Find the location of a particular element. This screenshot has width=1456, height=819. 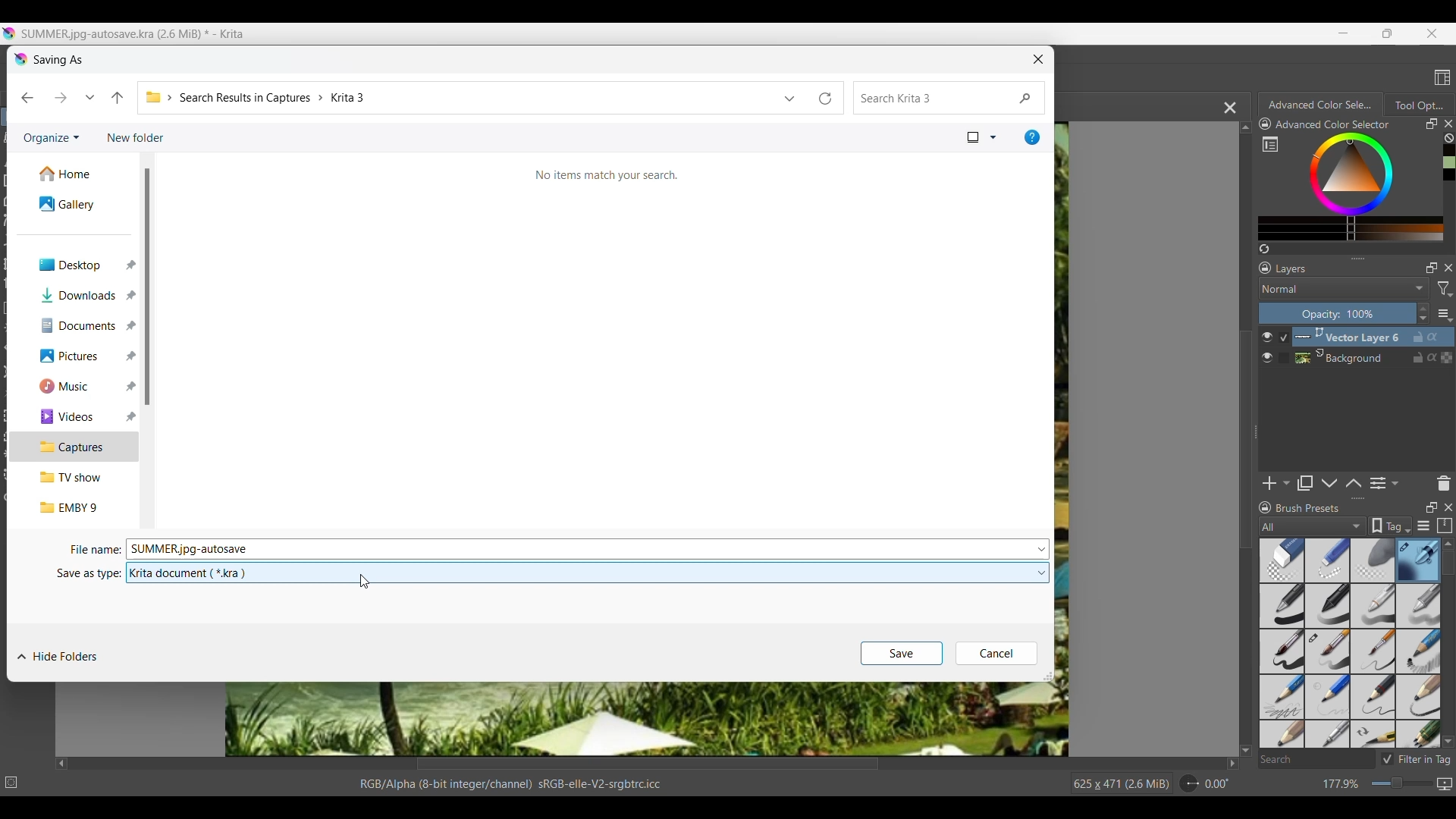

Name of current window is located at coordinates (59, 58).